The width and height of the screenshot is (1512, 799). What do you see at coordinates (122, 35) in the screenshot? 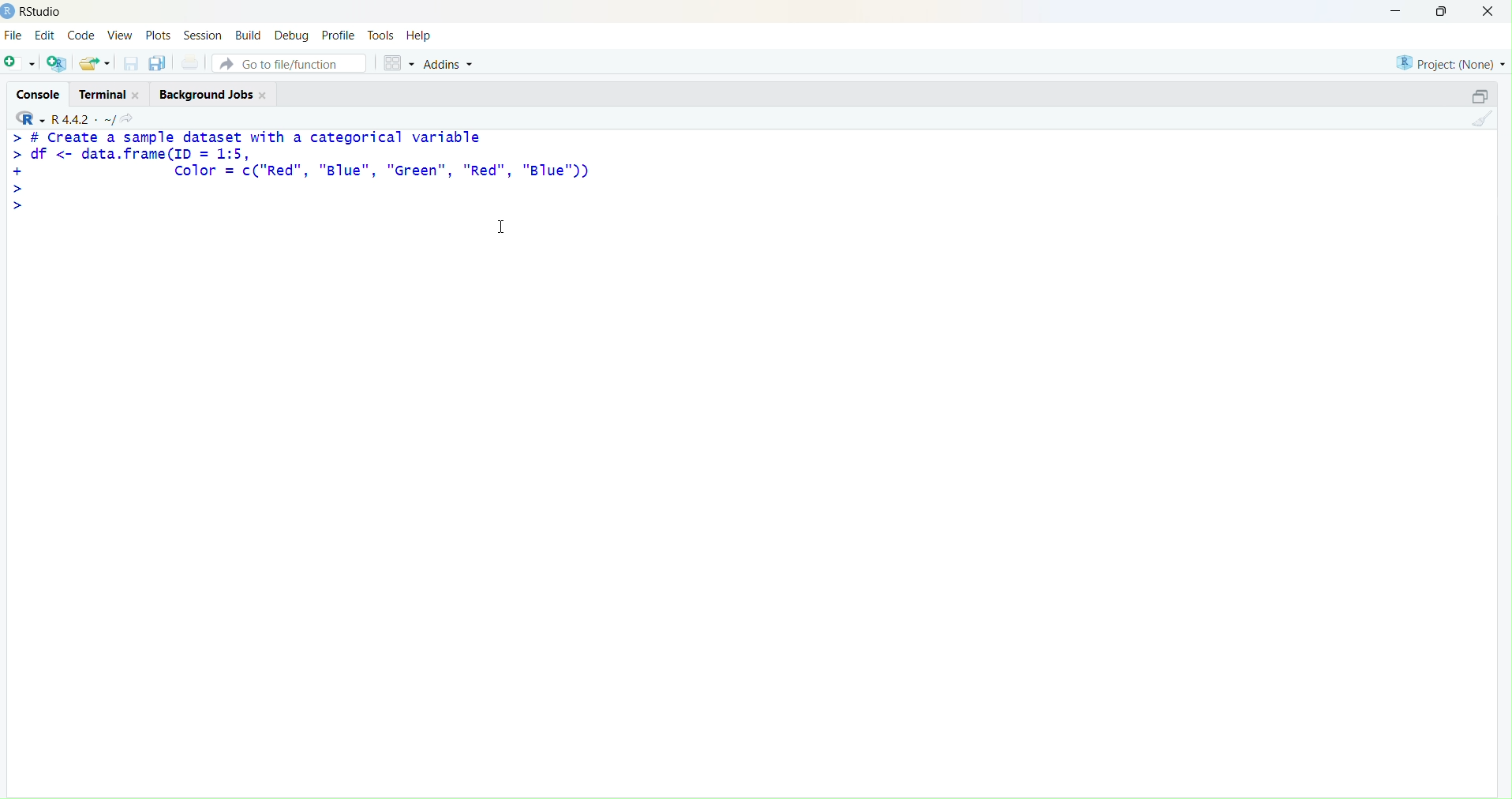
I see `view` at bounding box center [122, 35].